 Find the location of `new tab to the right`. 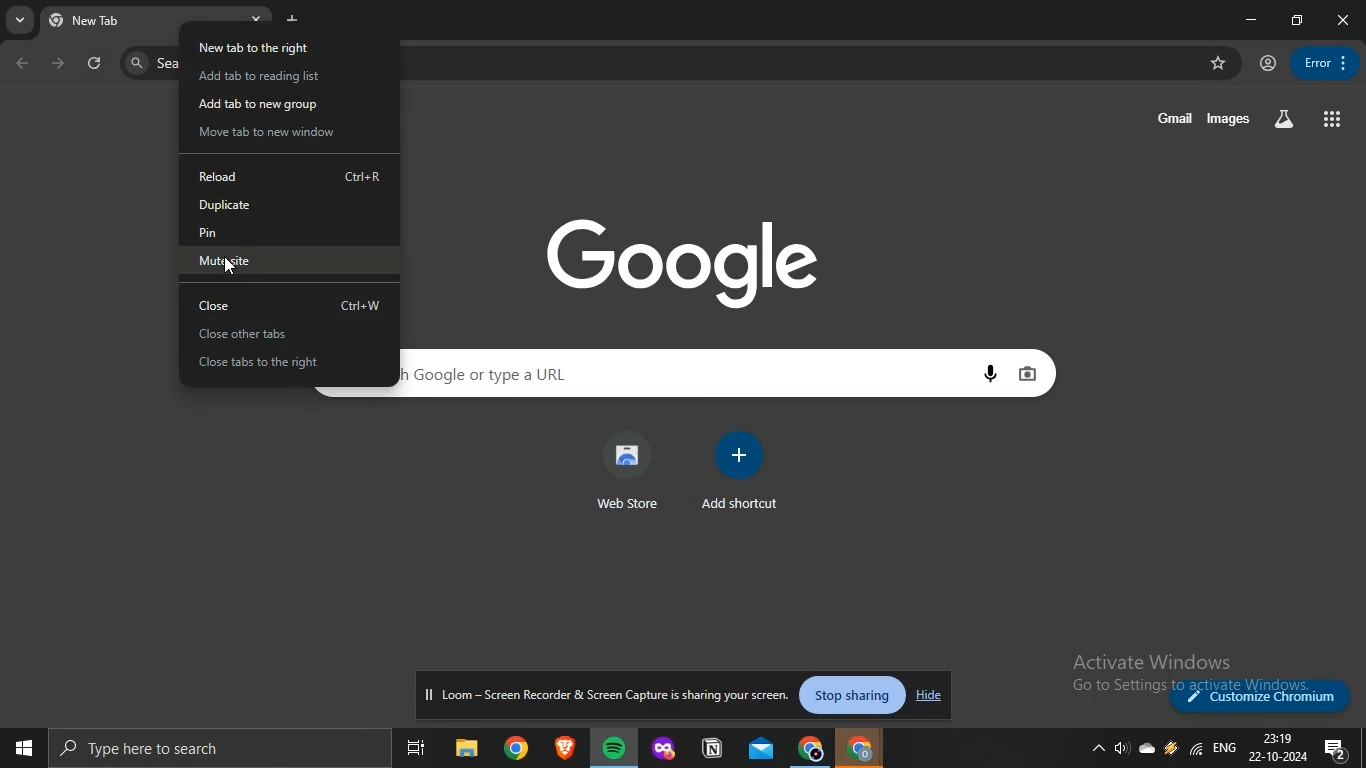

new tab to the right is located at coordinates (258, 46).